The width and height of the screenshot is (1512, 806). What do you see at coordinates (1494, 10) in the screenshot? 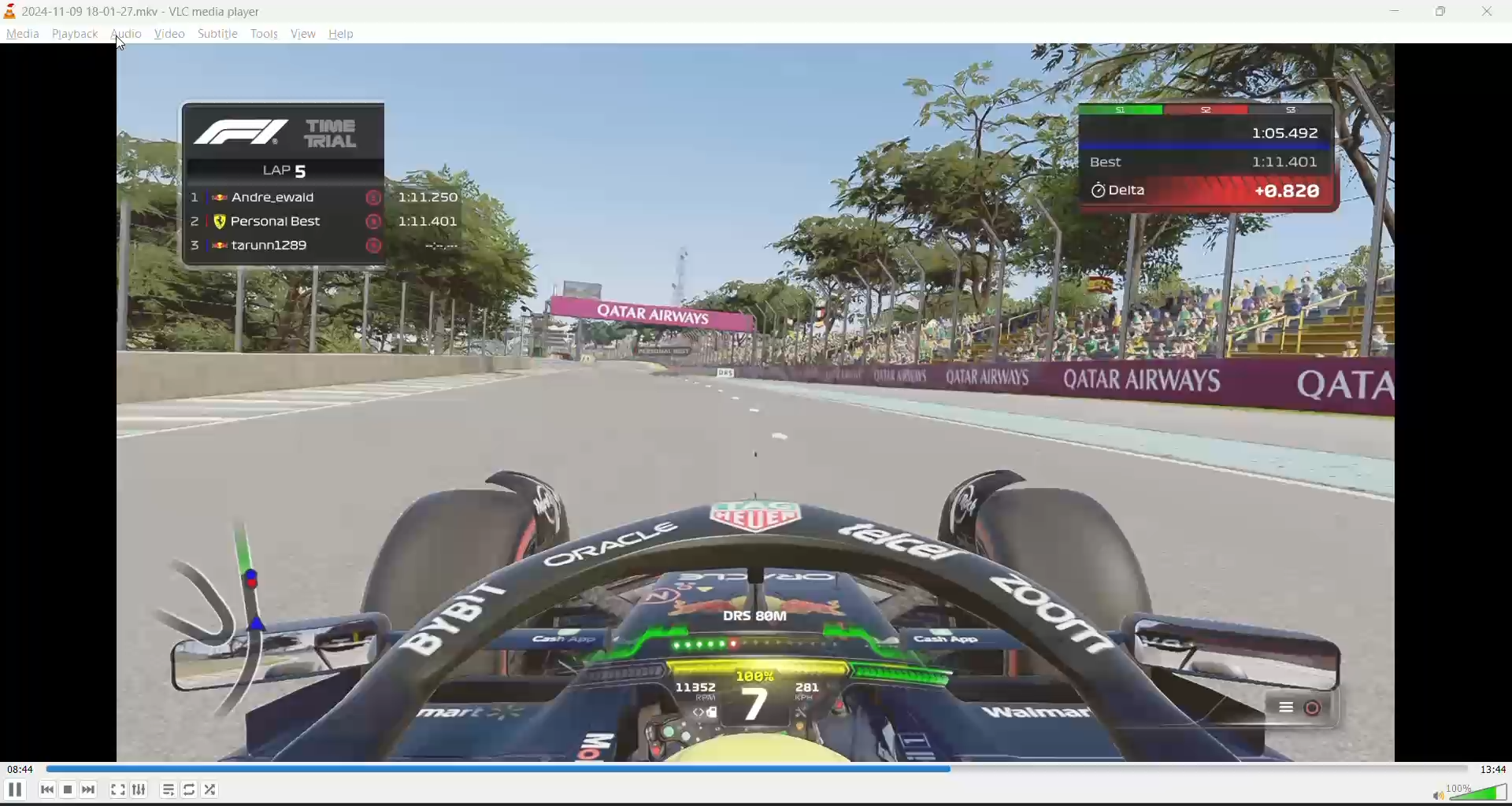
I see `close` at bounding box center [1494, 10].